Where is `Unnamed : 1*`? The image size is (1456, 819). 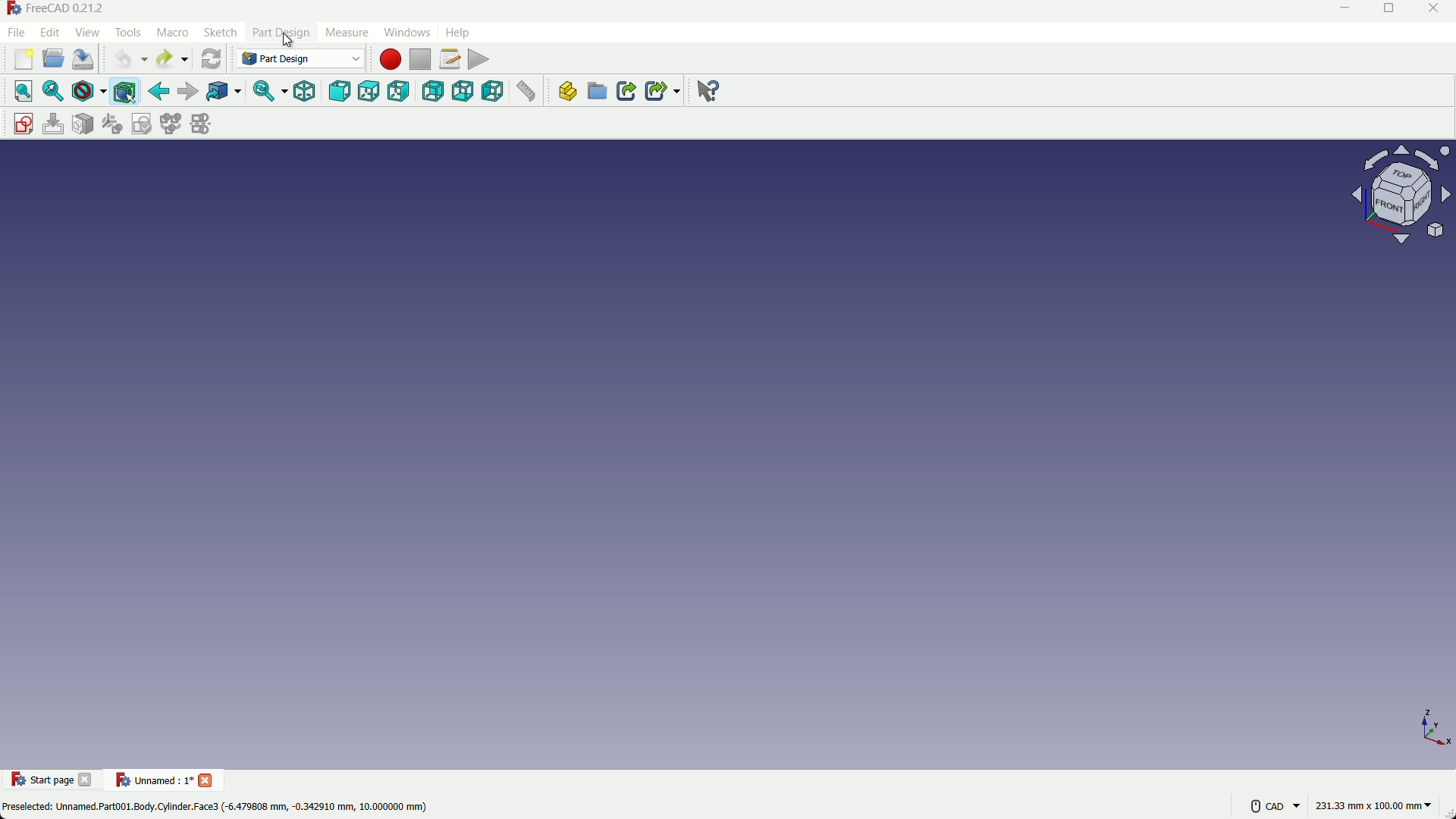 Unnamed : 1* is located at coordinates (155, 777).